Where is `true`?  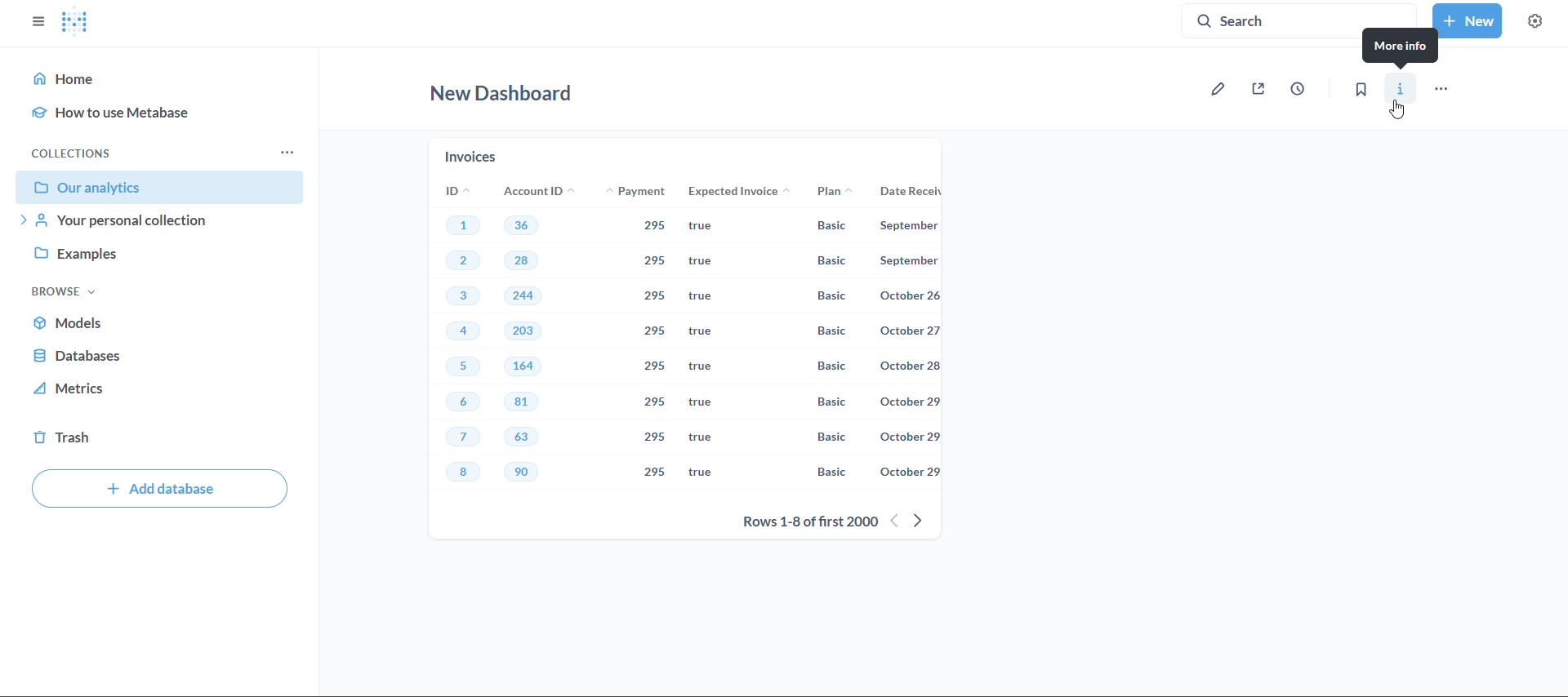
true is located at coordinates (703, 367).